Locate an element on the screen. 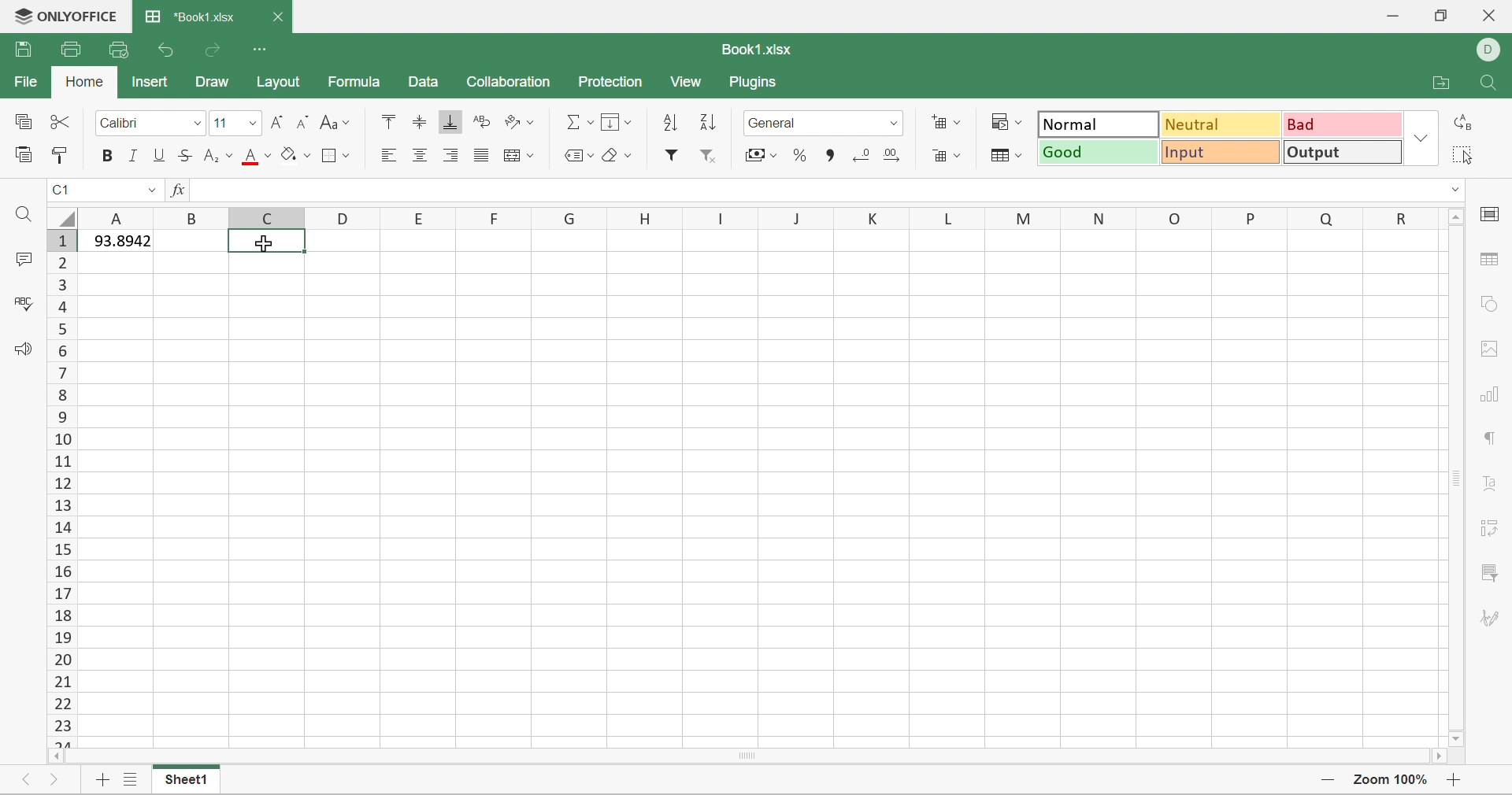 The image size is (1512, 795). Format table as template is located at coordinates (1002, 154).